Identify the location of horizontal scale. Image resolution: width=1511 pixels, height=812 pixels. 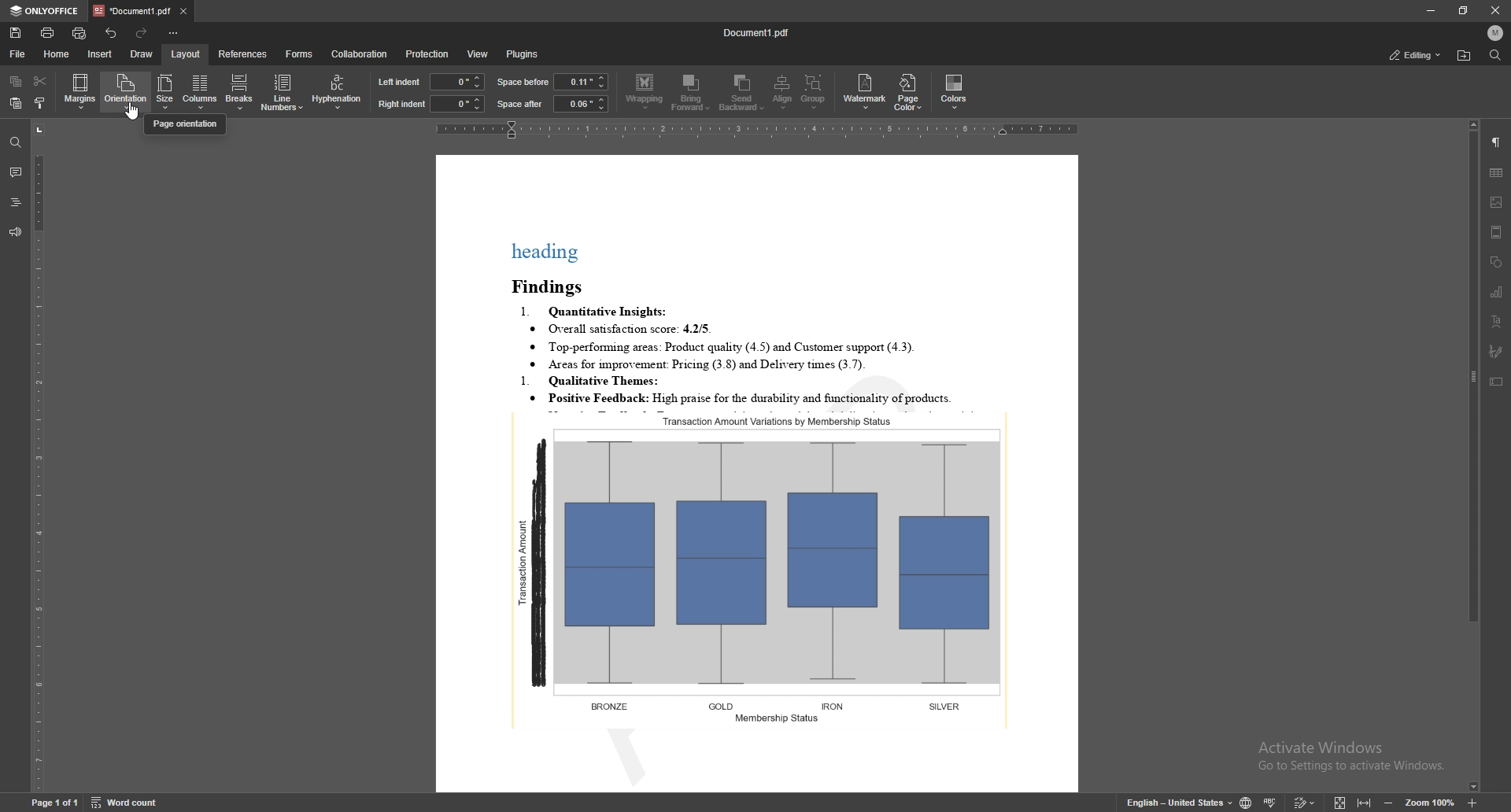
(756, 130).